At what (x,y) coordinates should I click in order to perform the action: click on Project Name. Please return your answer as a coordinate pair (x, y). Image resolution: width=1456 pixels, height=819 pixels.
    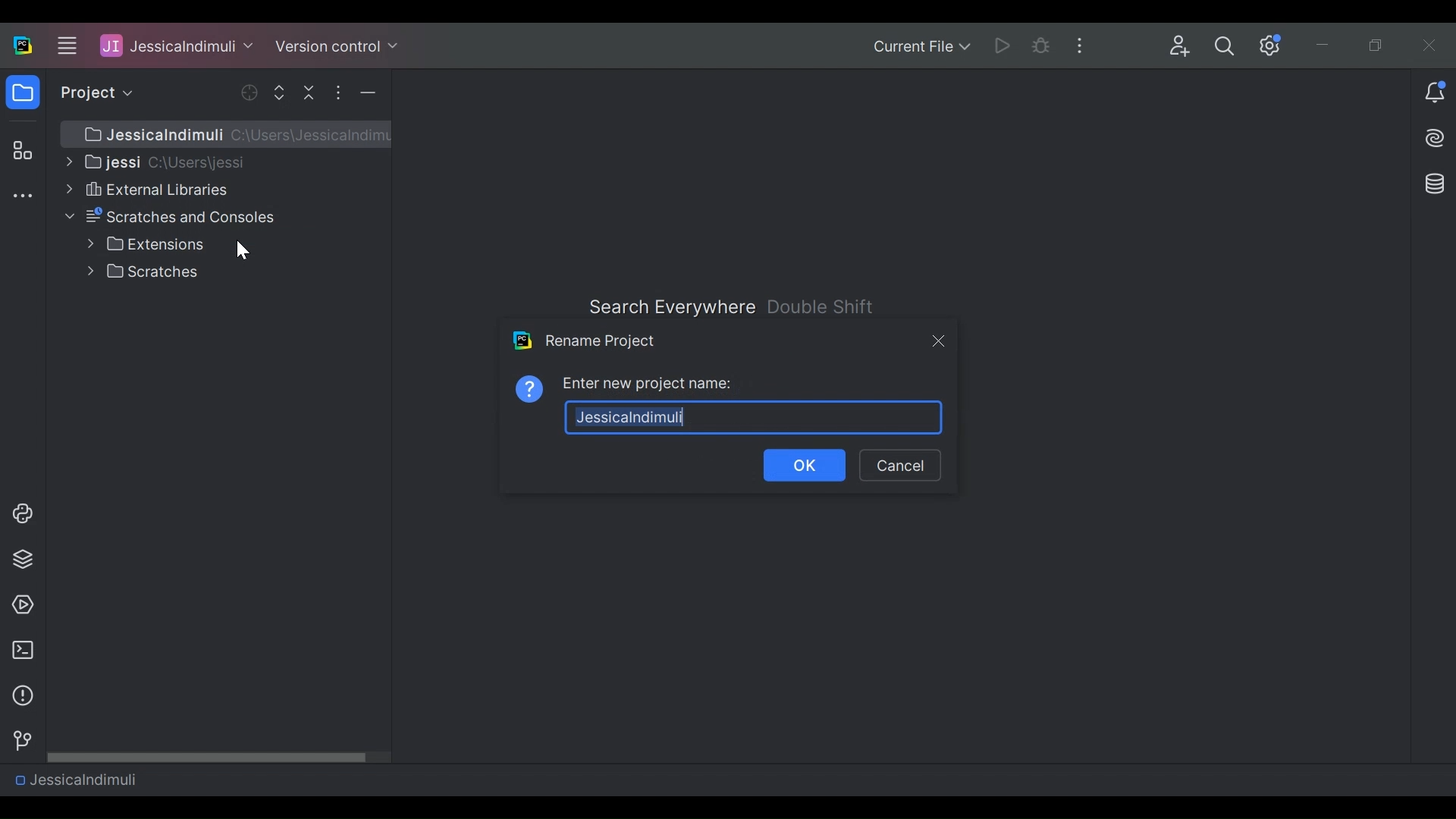
    Looking at the image, I should click on (177, 45).